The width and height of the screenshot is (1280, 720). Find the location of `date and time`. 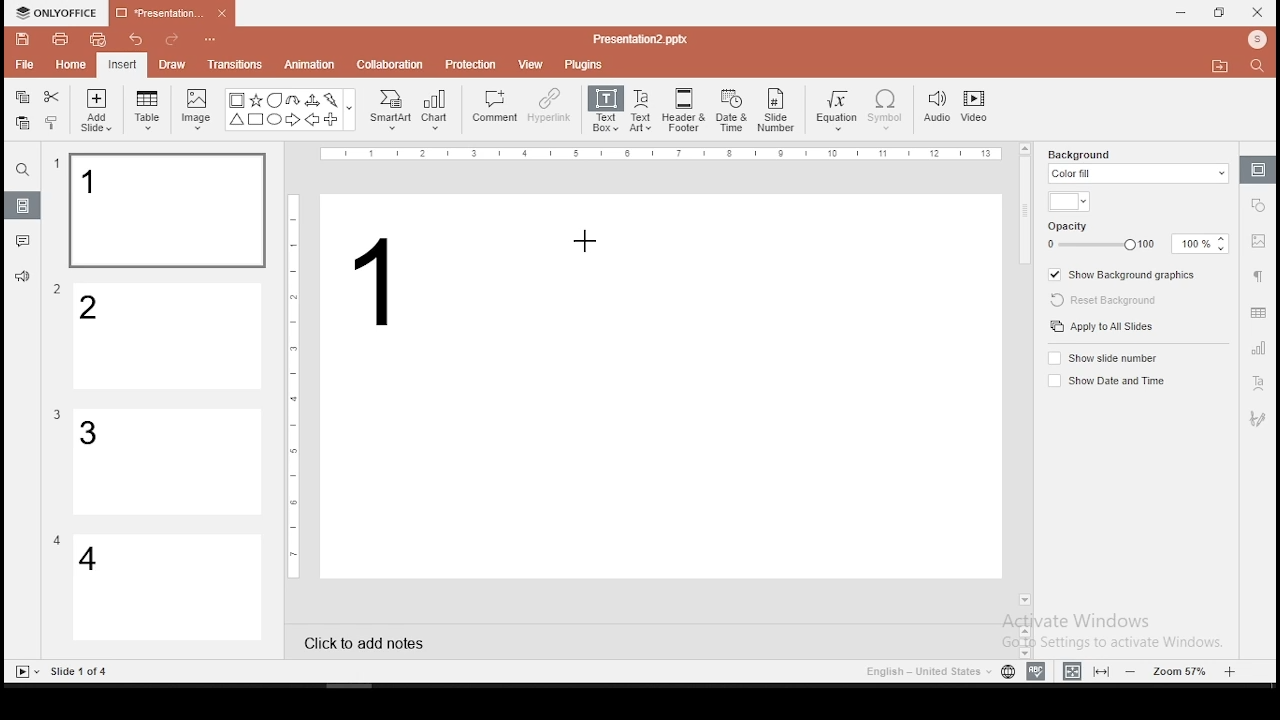

date and time is located at coordinates (732, 110).